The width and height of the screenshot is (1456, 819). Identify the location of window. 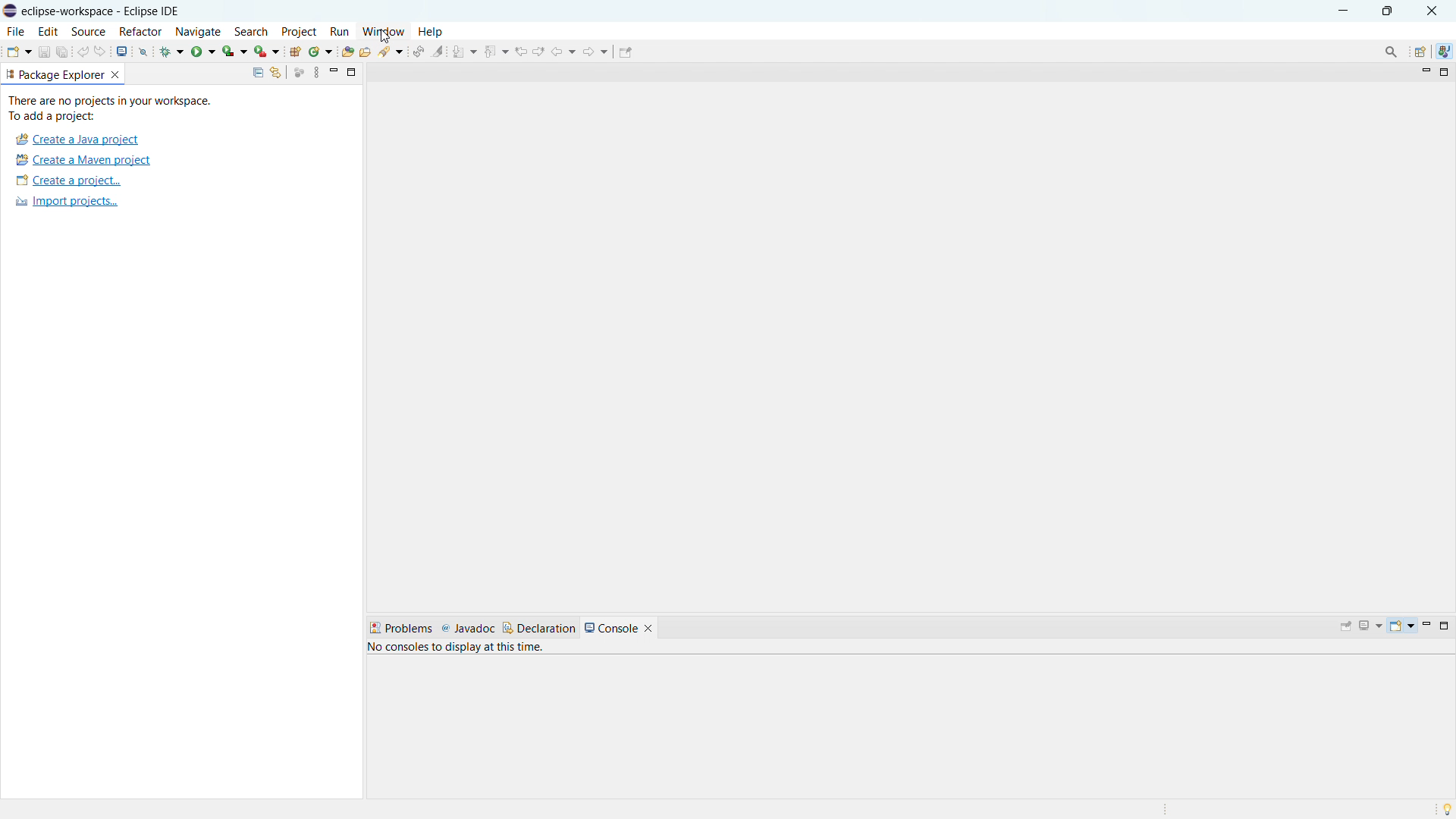
(382, 31).